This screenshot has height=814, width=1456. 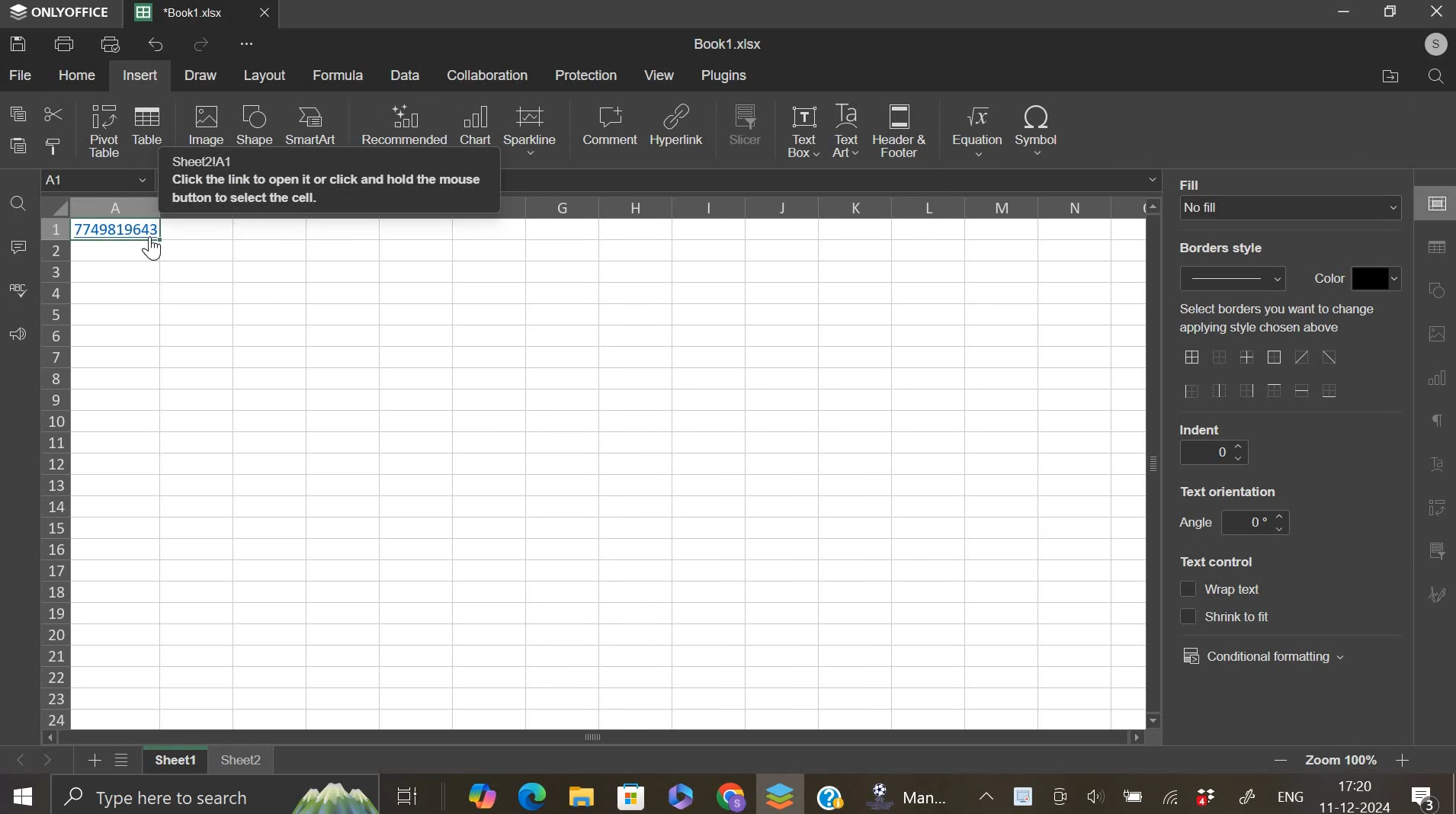 What do you see at coordinates (1155, 460) in the screenshot?
I see `vertical scroll bar` at bounding box center [1155, 460].